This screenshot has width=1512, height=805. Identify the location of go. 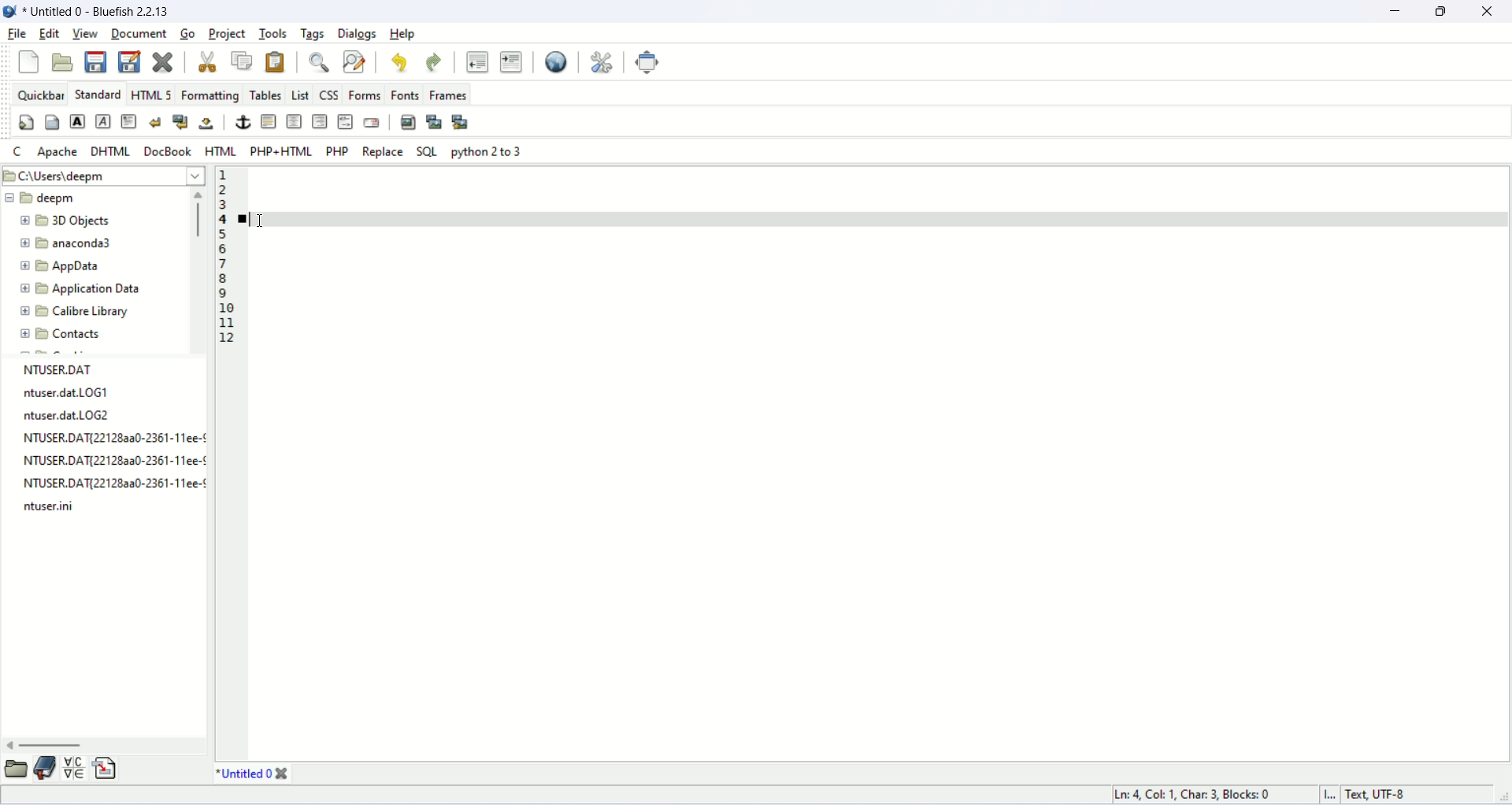
(186, 33).